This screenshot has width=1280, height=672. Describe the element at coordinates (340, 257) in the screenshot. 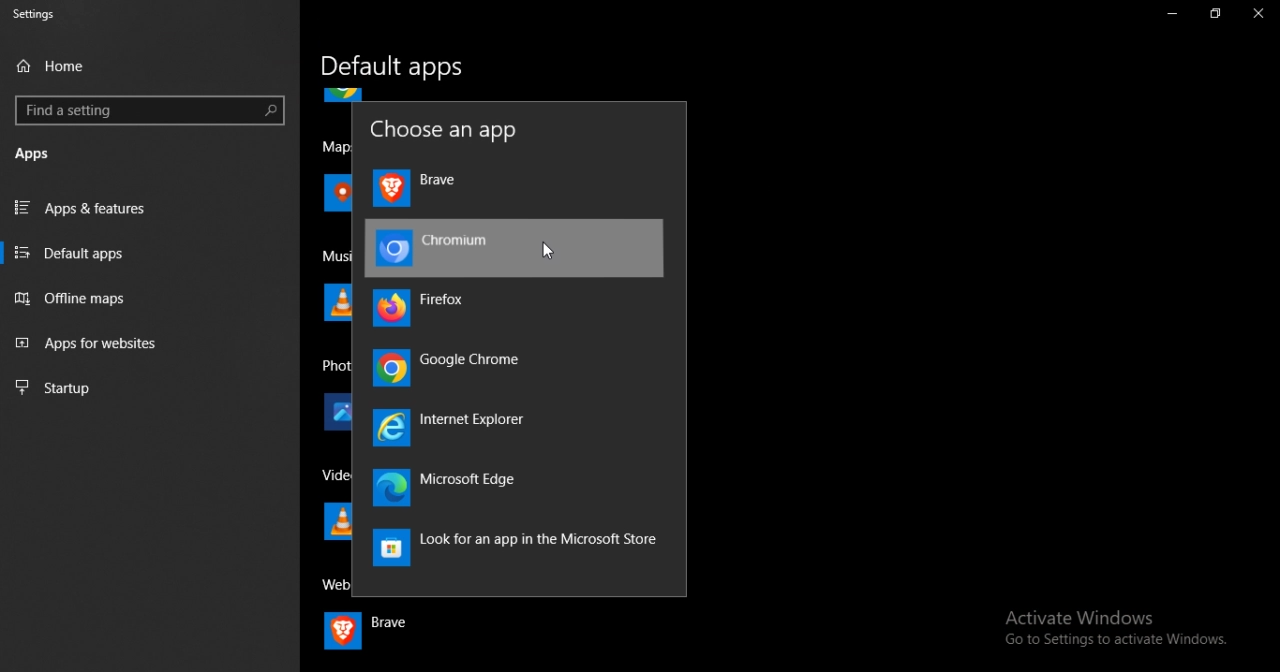

I see `music player` at that location.